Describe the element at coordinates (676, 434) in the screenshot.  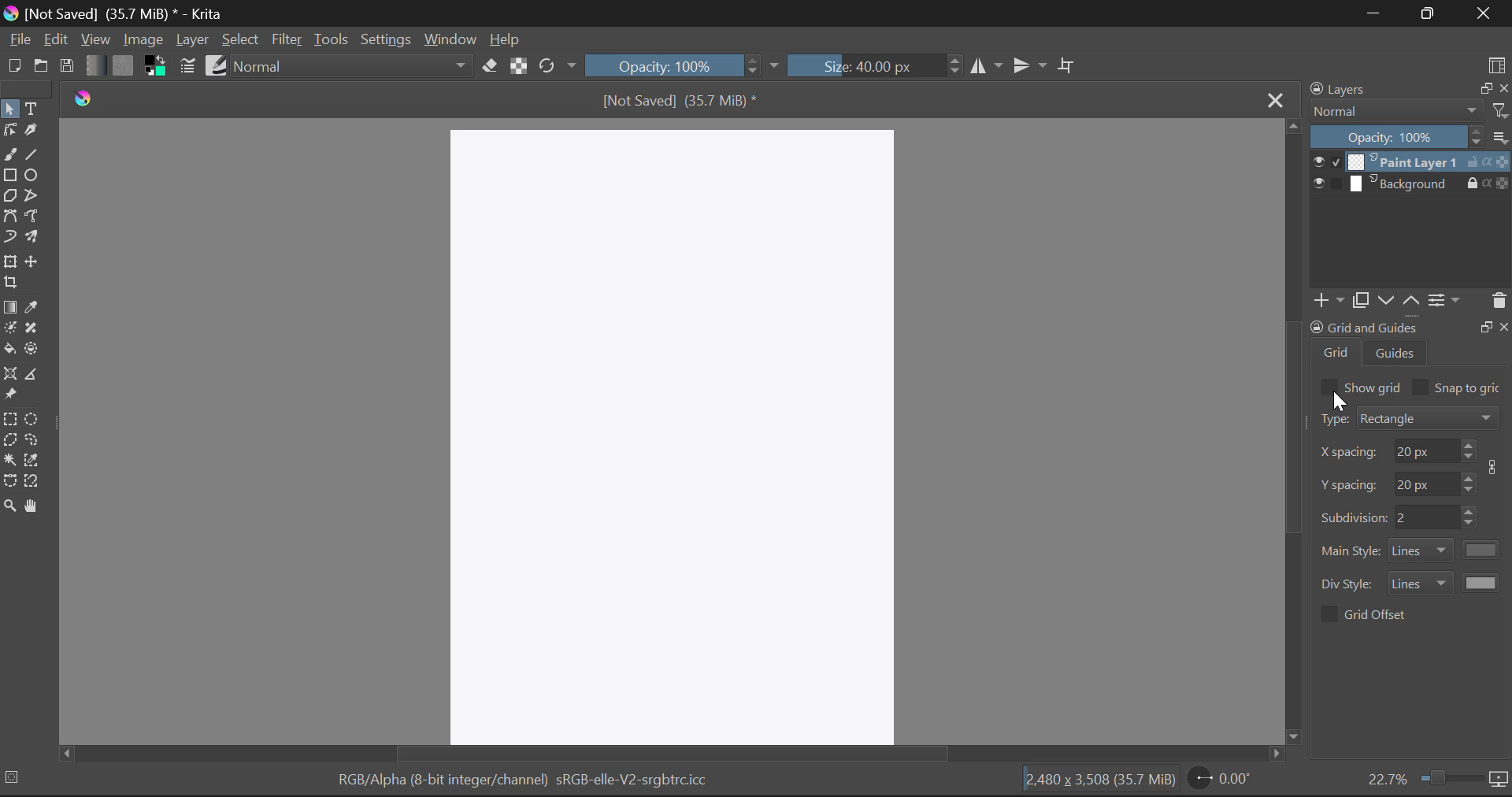
I see `Document Workspace` at that location.